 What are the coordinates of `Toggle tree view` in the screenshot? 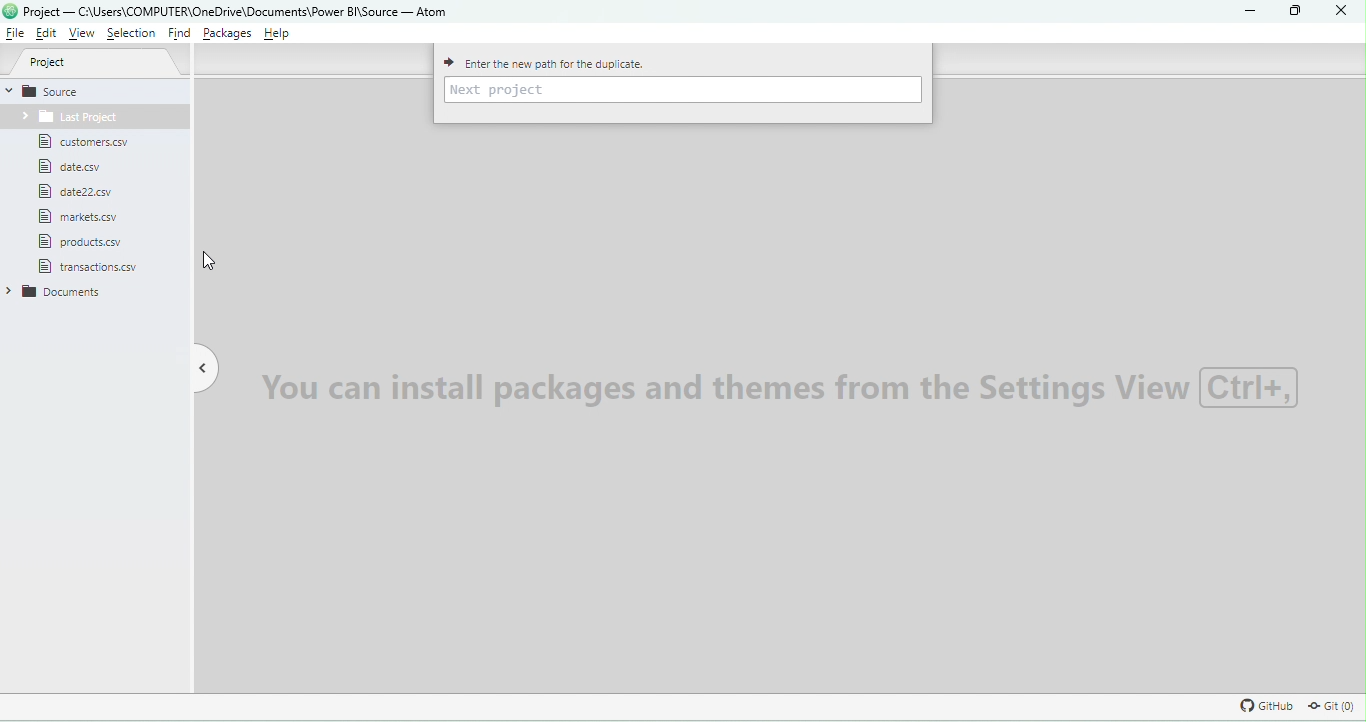 It's located at (202, 366).